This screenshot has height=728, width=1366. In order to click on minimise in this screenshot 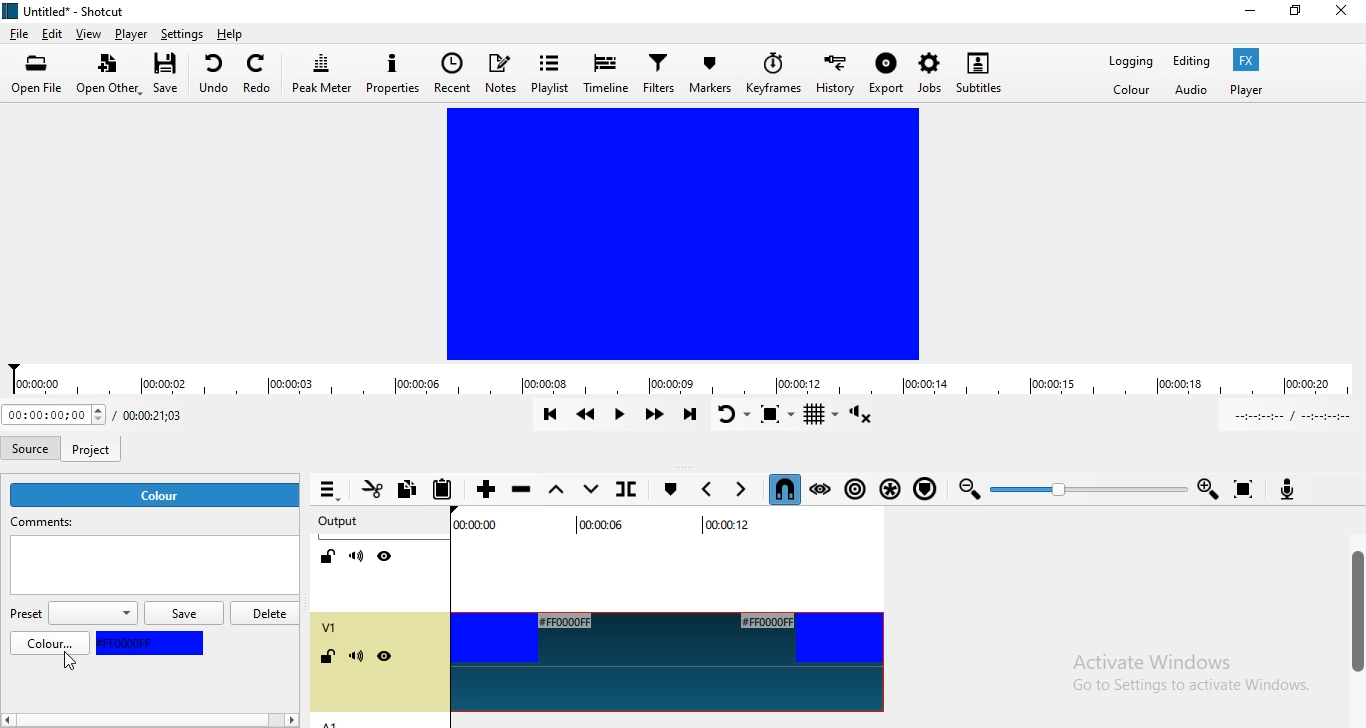, I will do `click(1250, 14)`.